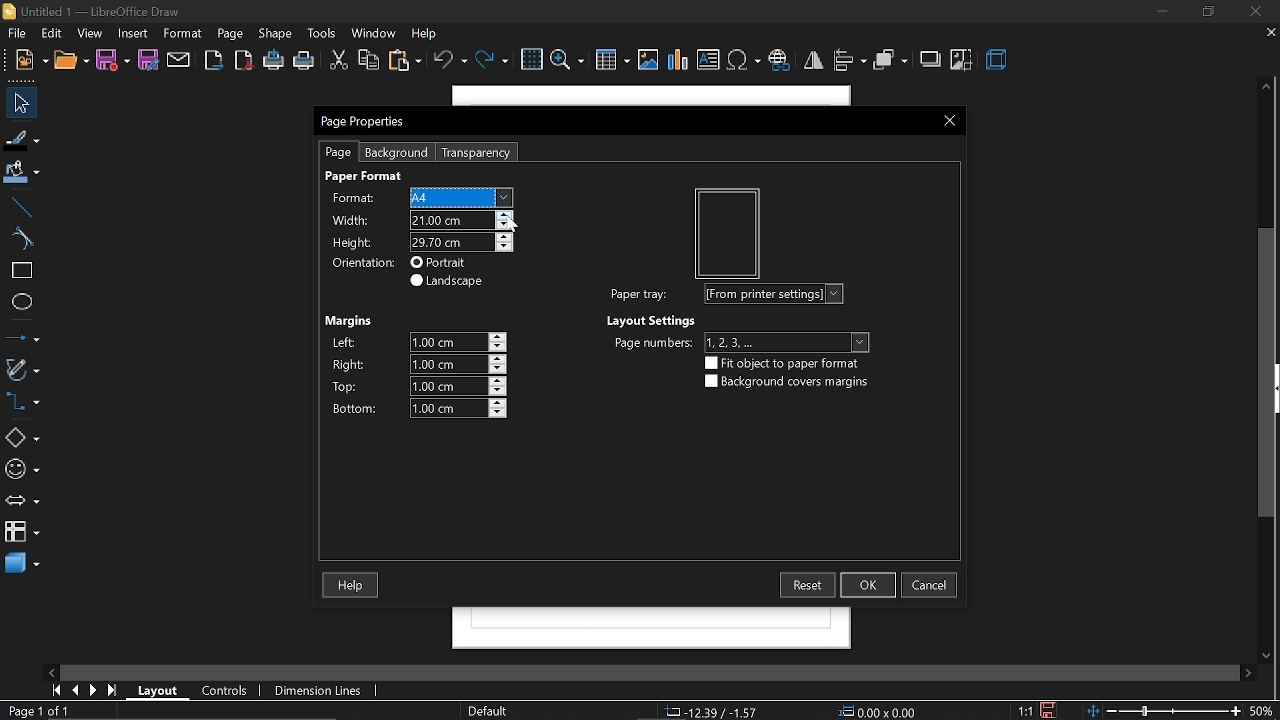 Image resolution: width=1280 pixels, height=720 pixels. Describe the element at coordinates (450, 61) in the screenshot. I see `undo` at that location.